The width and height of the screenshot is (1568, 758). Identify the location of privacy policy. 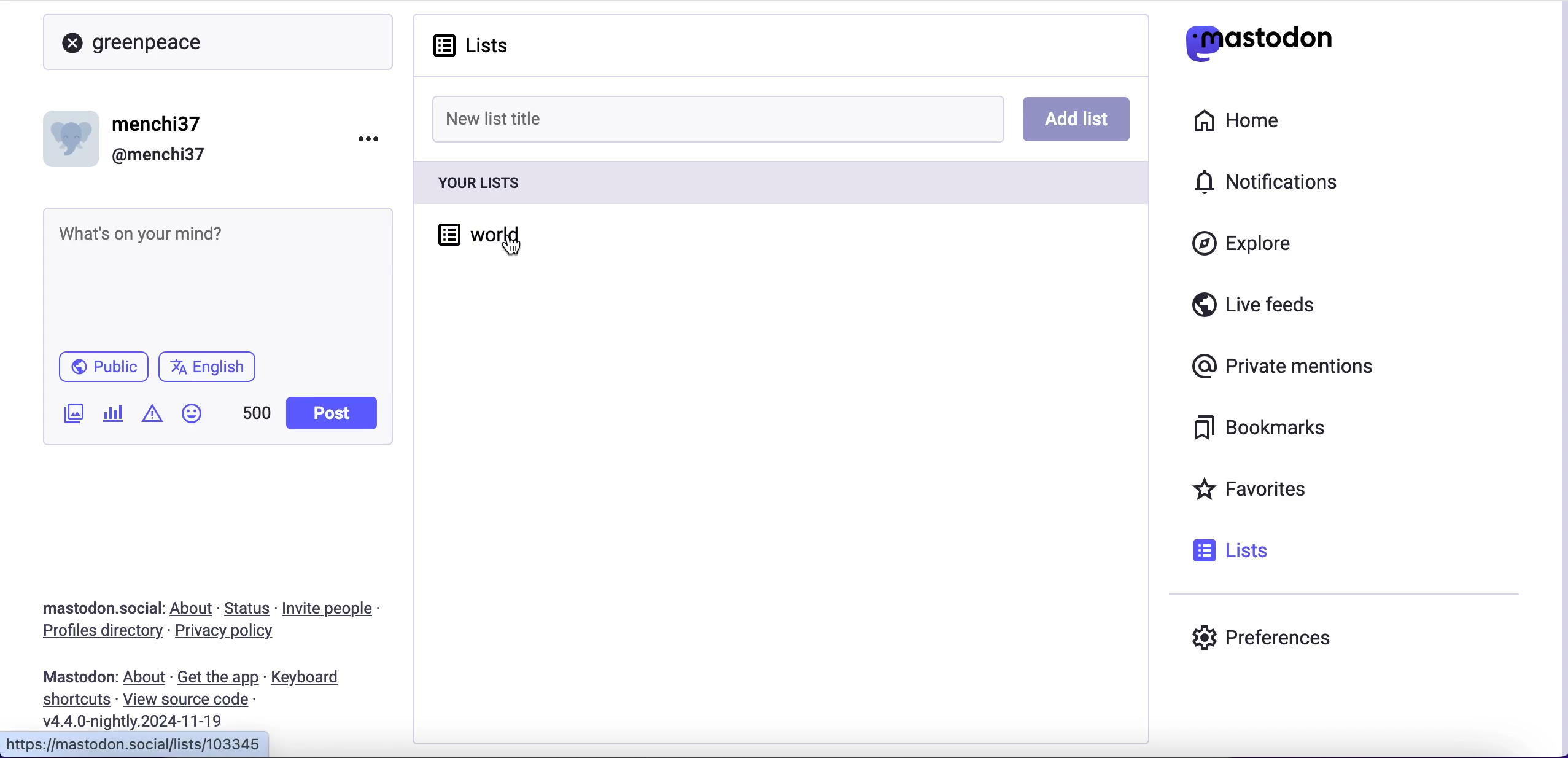
(235, 633).